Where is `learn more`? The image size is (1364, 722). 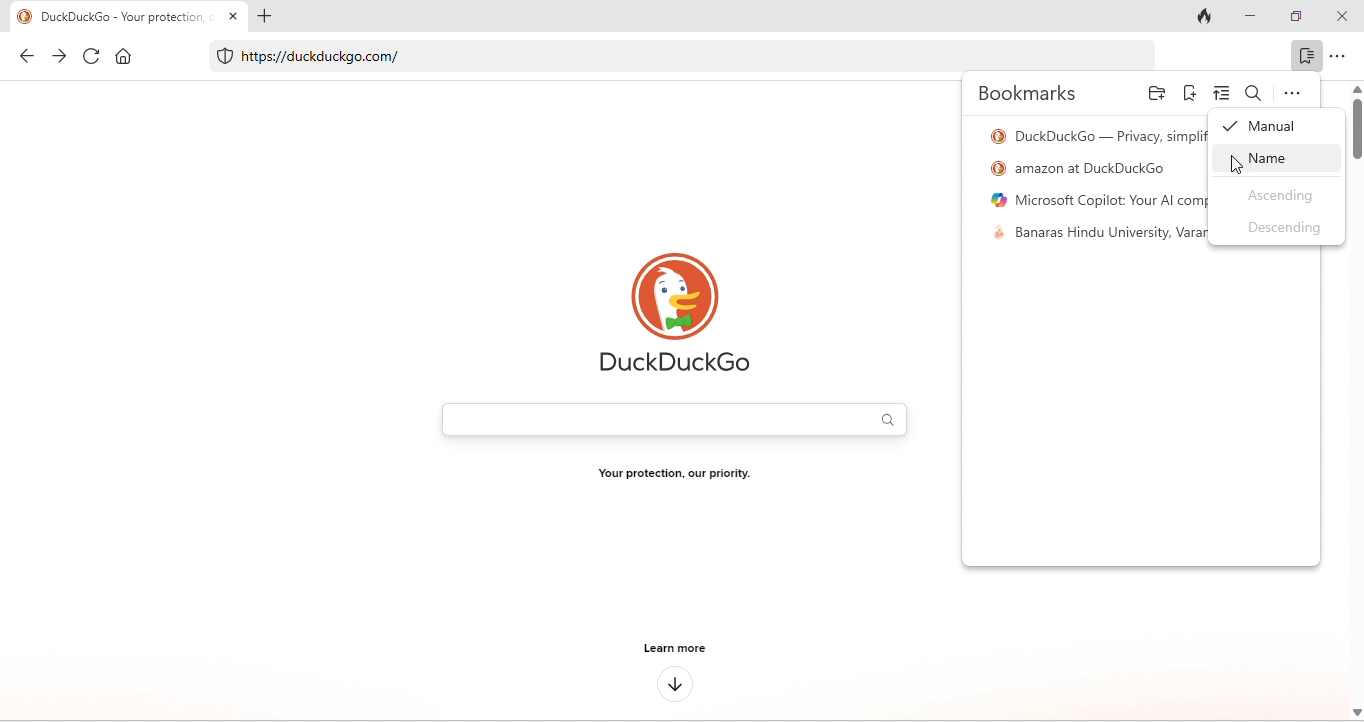 learn more is located at coordinates (672, 648).